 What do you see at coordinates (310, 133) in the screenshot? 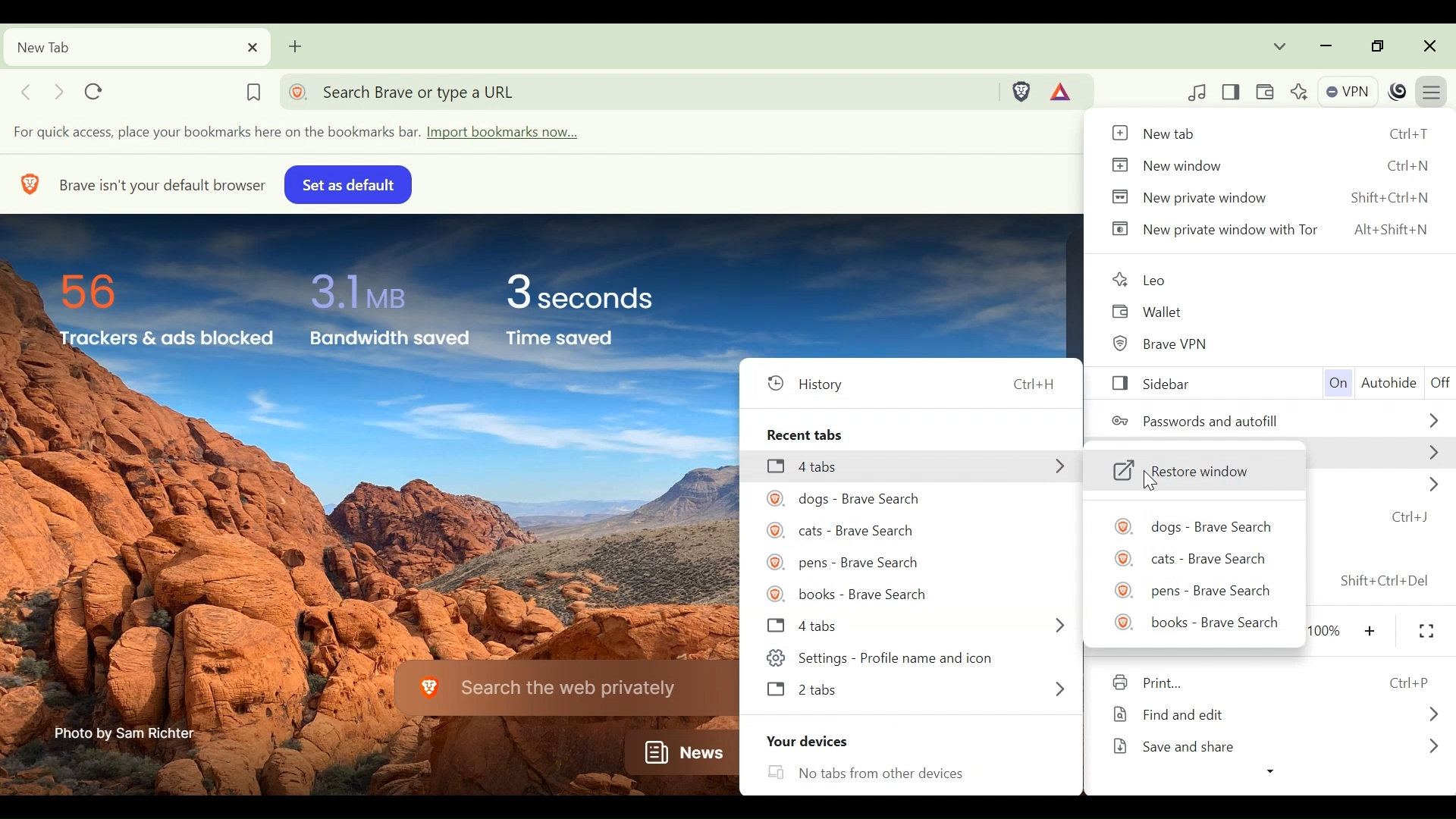
I see `Import bookmarks` at bounding box center [310, 133].